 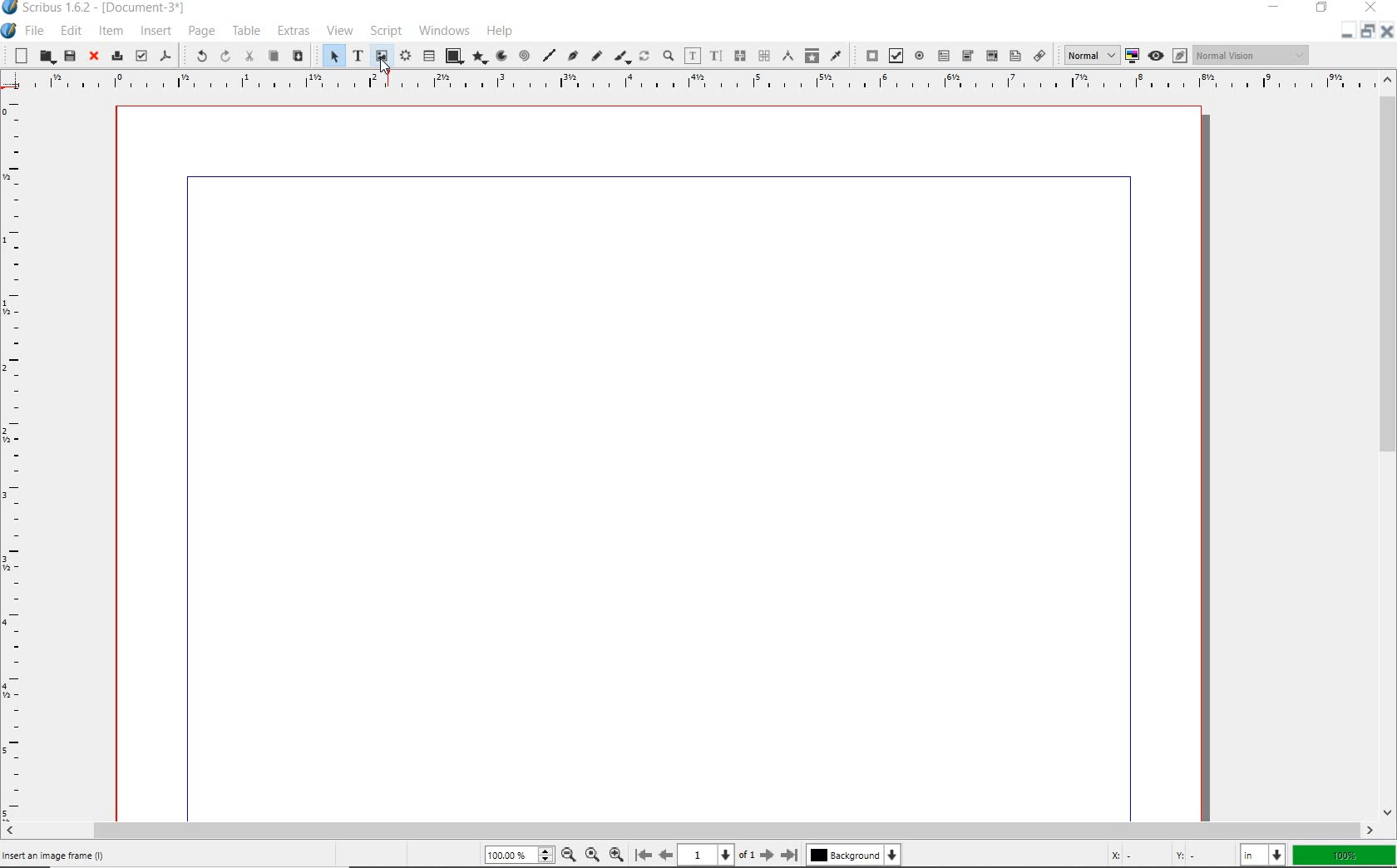 I want to click on new, so click(x=20, y=56).